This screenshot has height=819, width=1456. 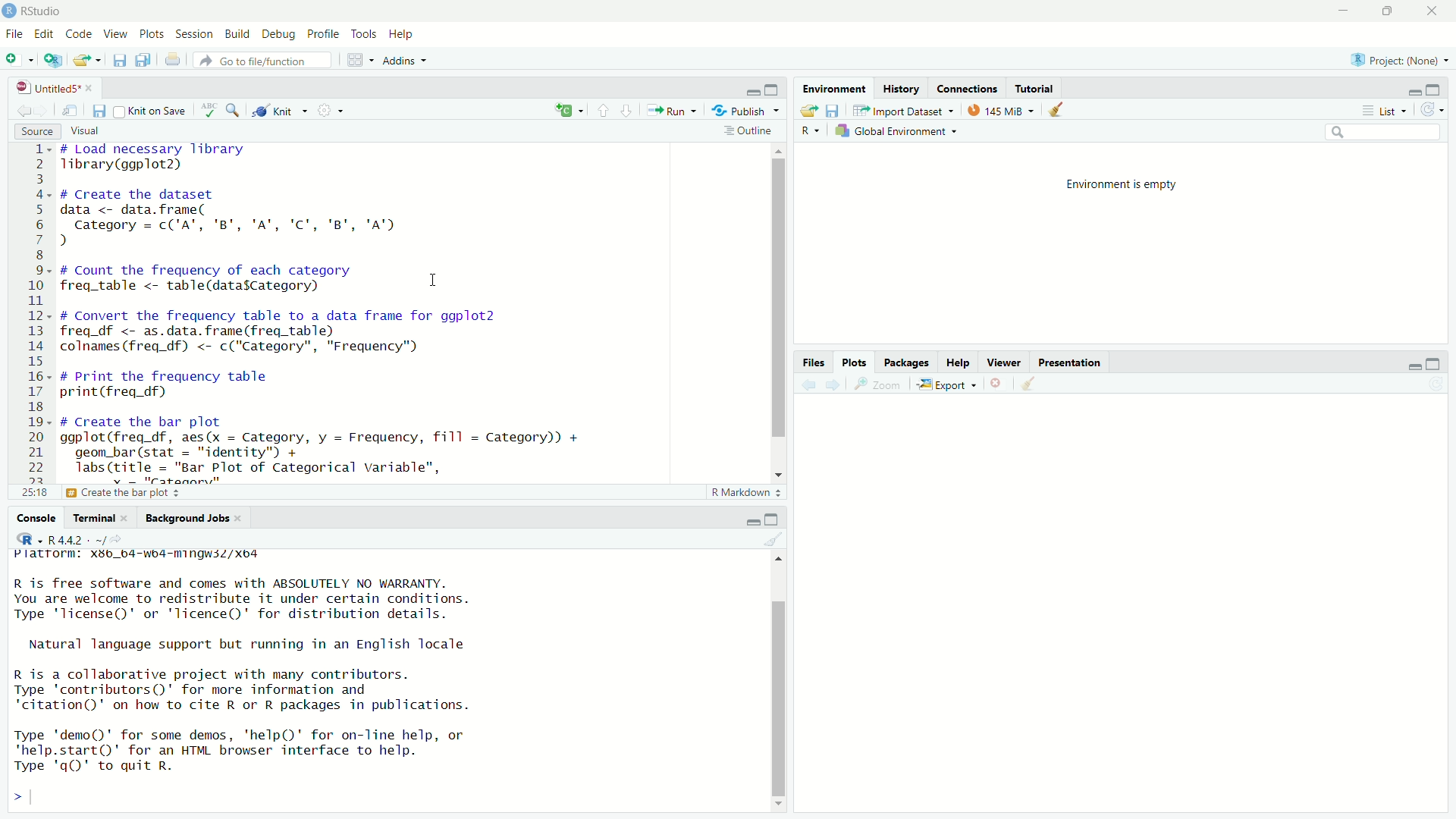 I want to click on packages, so click(x=906, y=362).